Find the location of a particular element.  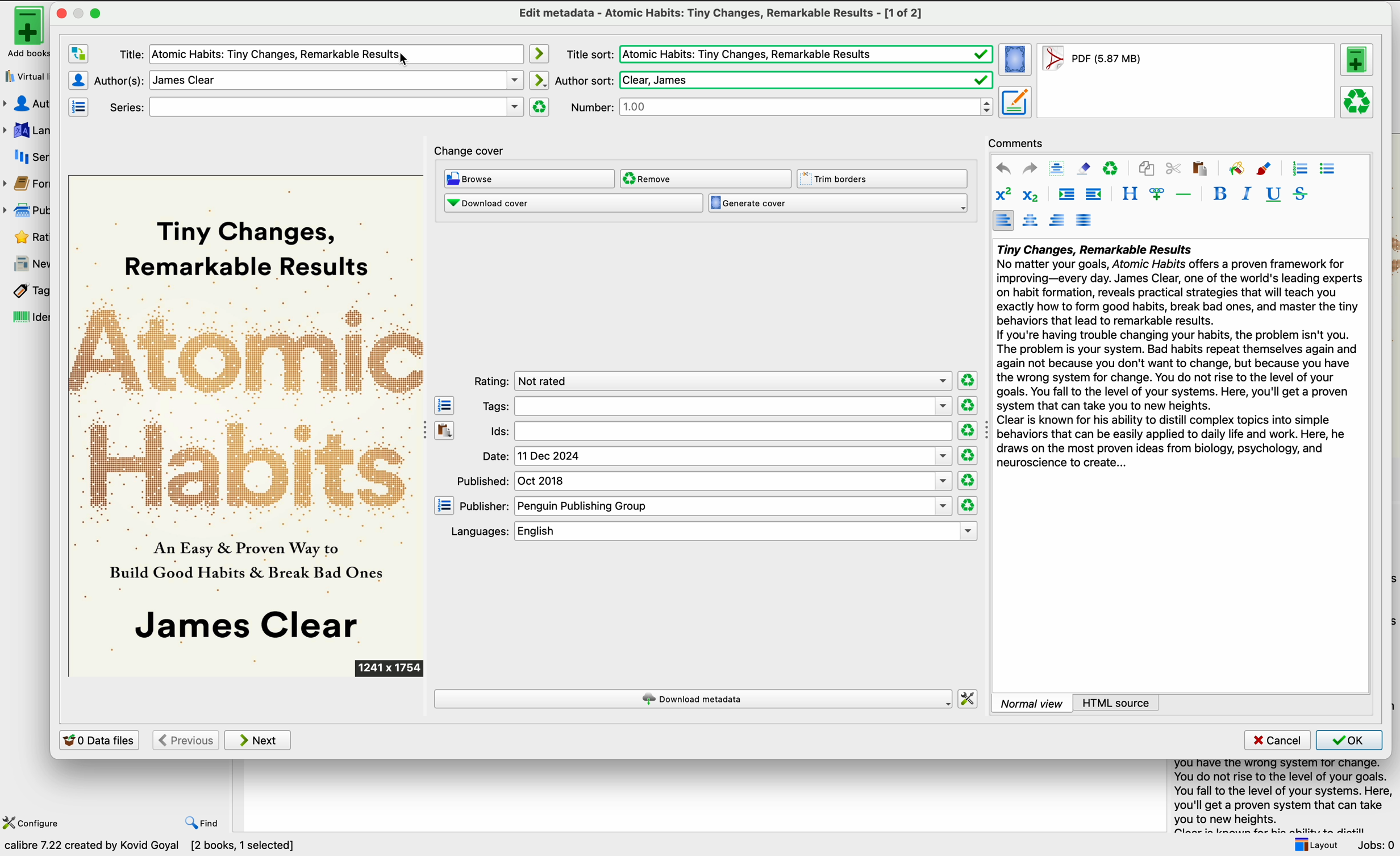

clear rating is located at coordinates (969, 456).